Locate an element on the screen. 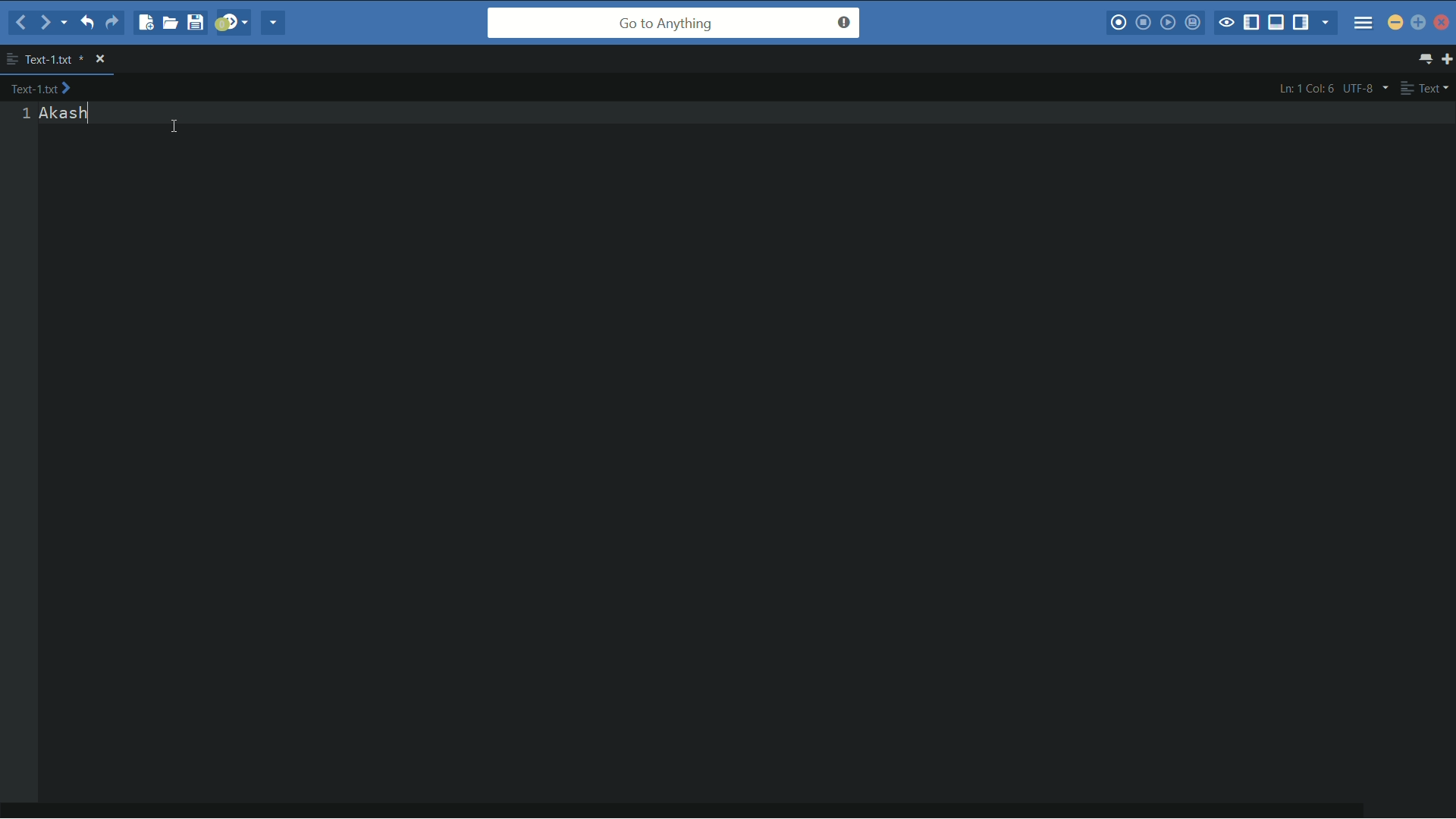 This screenshot has height=819, width=1456. minimize is located at coordinates (1395, 24).